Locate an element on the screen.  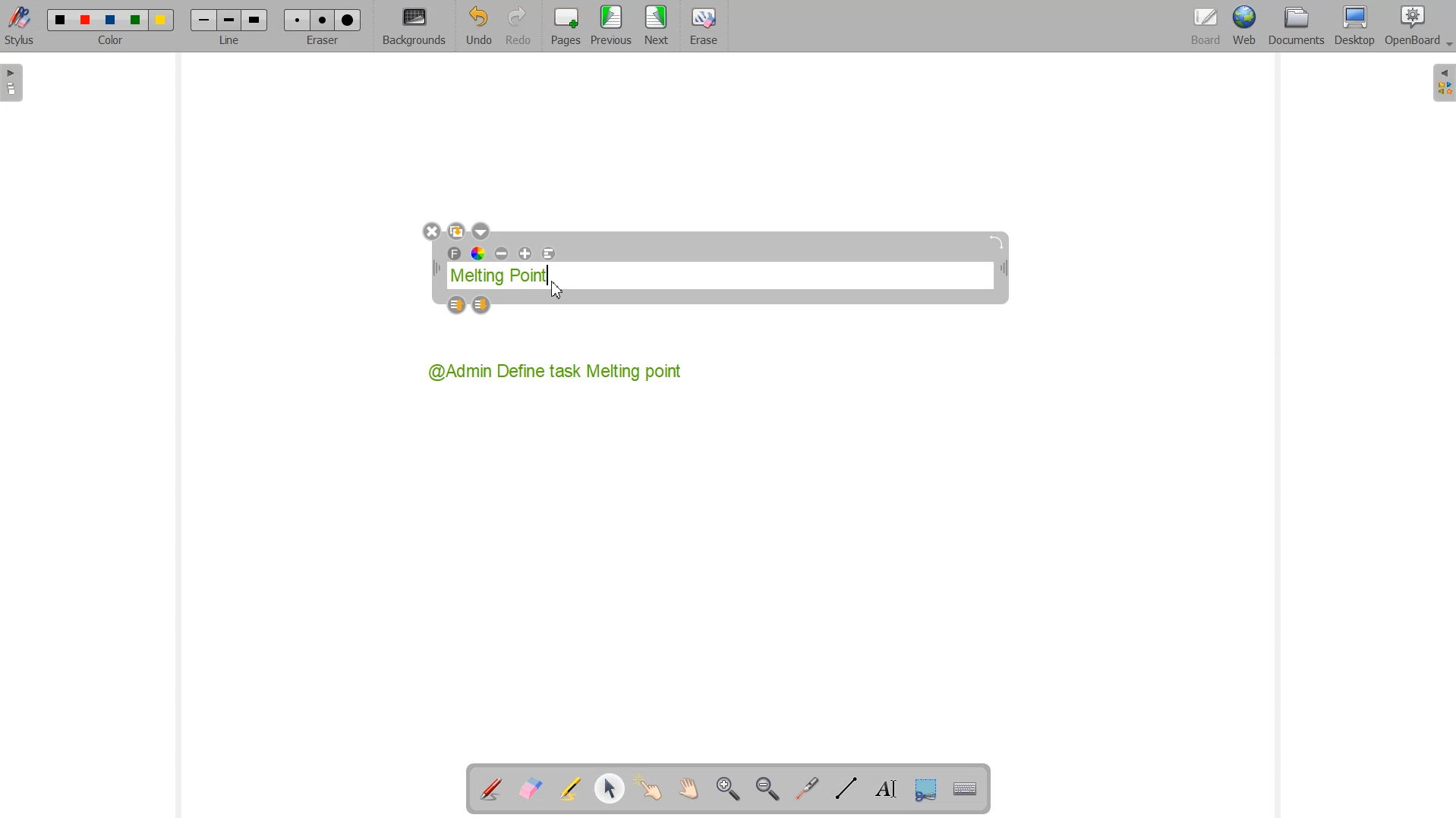
Interact with item is located at coordinates (648, 789).